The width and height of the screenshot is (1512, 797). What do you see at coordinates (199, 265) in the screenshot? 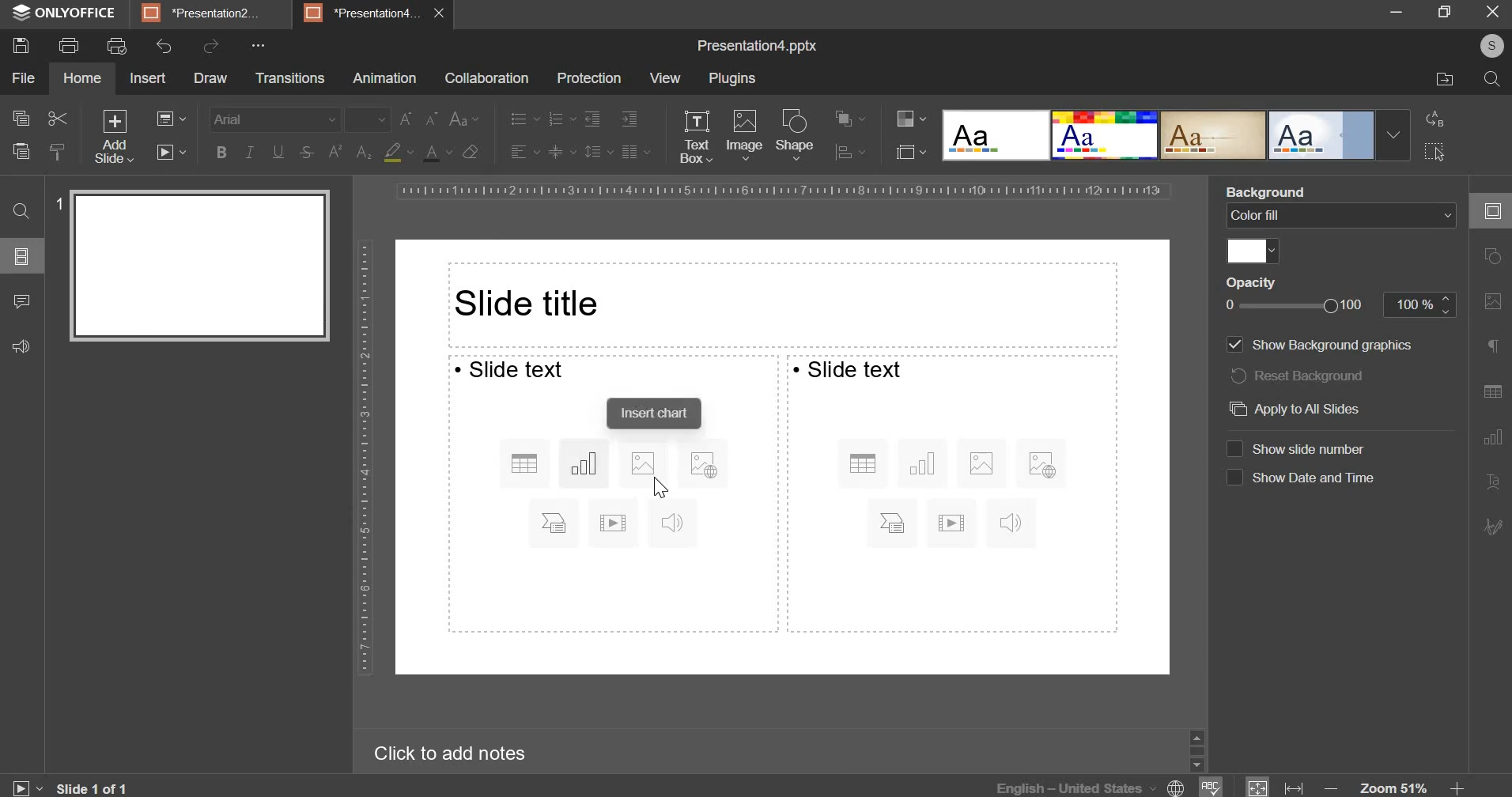
I see `slide preview` at bounding box center [199, 265].